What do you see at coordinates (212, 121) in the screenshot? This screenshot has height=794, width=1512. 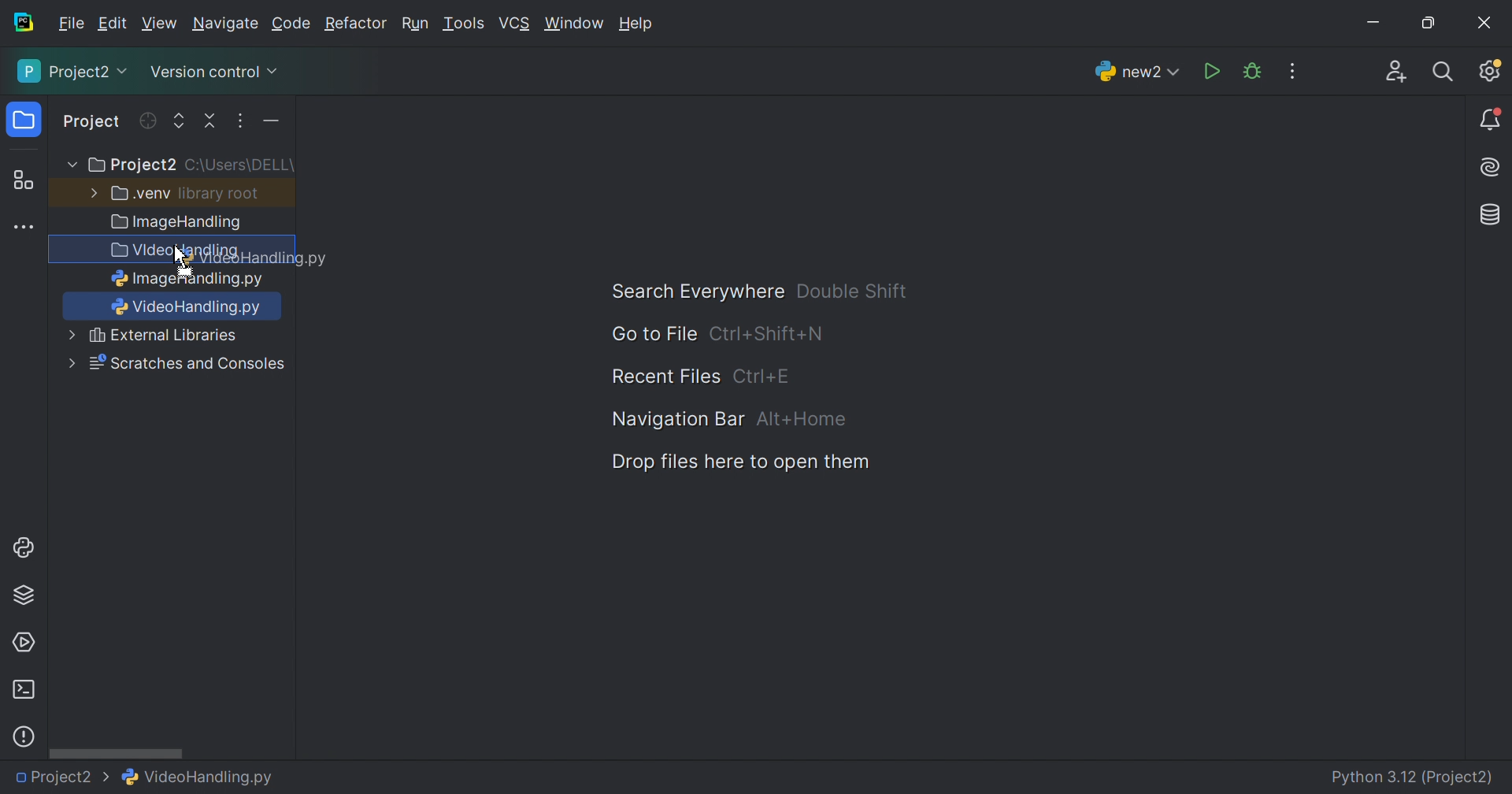 I see `Collapse all` at bounding box center [212, 121].